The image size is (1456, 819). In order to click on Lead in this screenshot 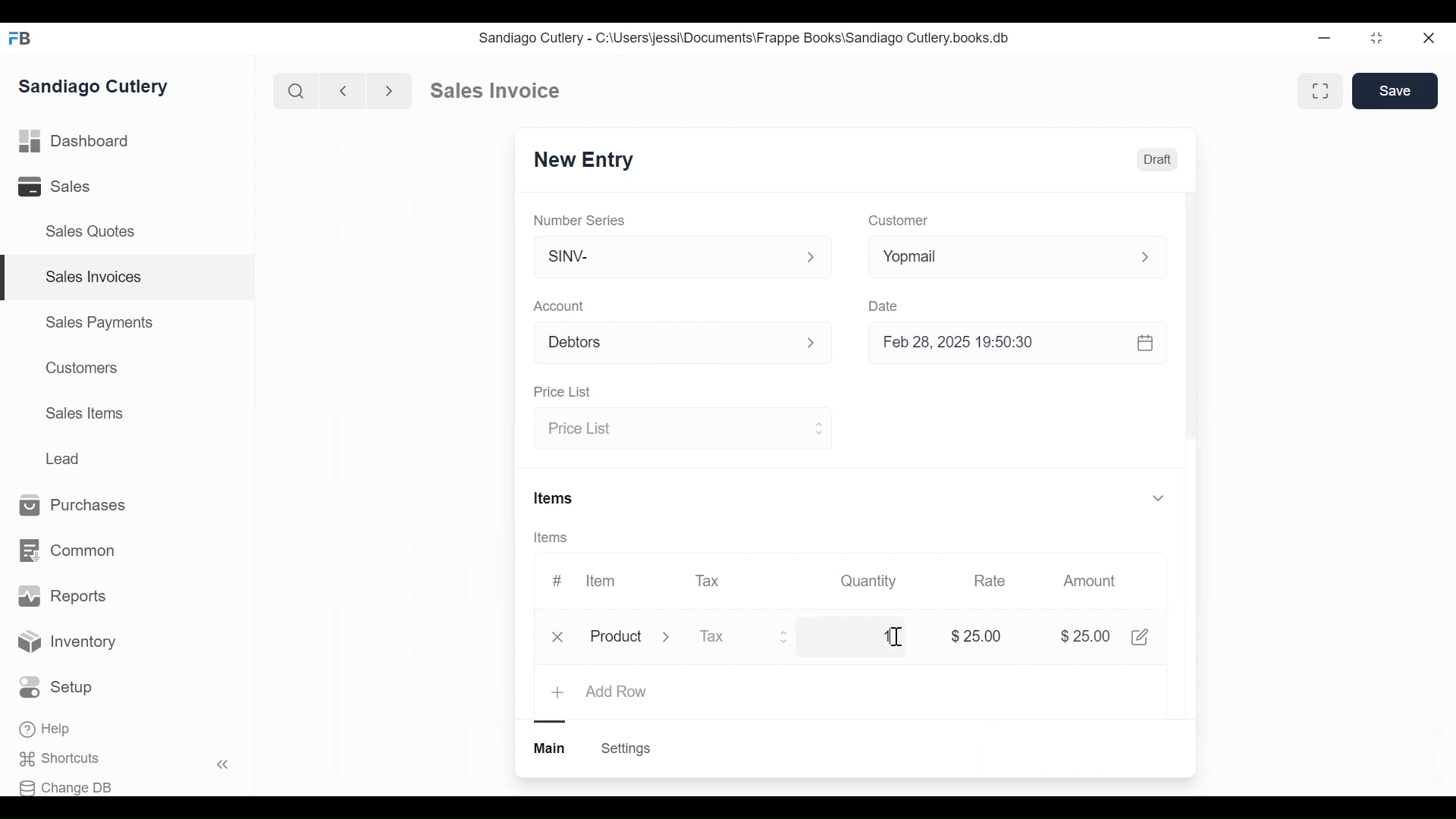, I will do `click(64, 457)`.